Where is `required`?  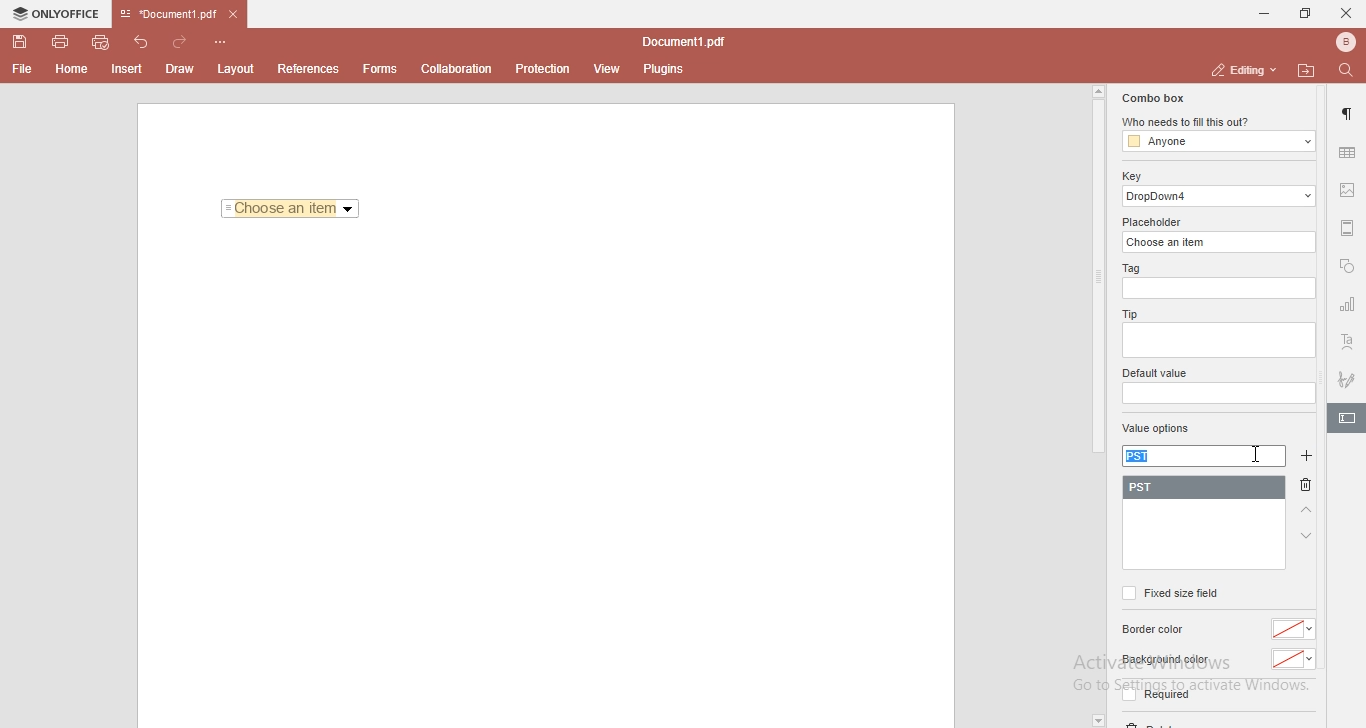 required is located at coordinates (1154, 698).